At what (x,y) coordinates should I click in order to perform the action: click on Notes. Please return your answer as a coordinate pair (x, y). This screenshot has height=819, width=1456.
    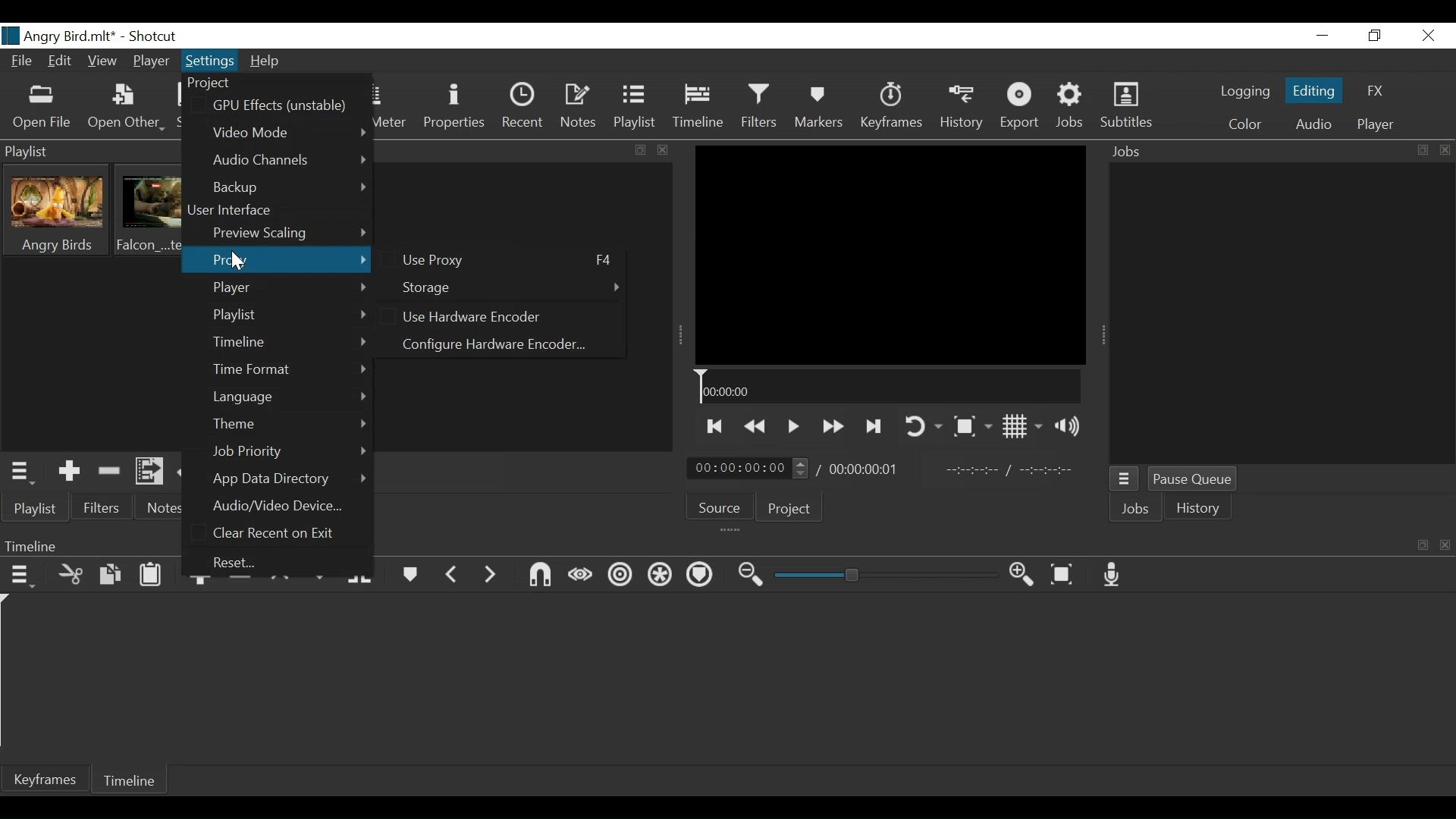
    Looking at the image, I should click on (582, 105).